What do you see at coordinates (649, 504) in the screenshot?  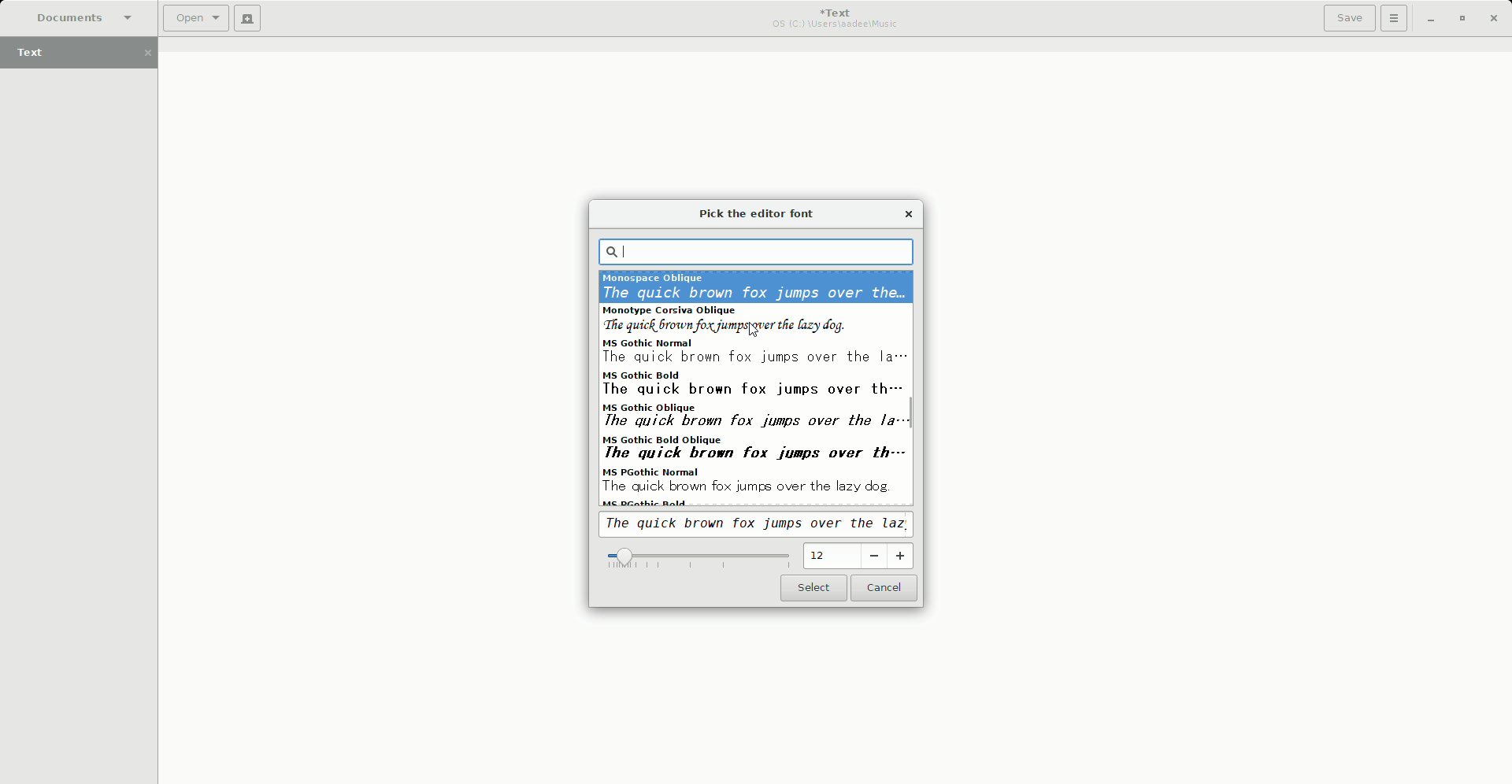 I see `PGothic Bold` at bounding box center [649, 504].